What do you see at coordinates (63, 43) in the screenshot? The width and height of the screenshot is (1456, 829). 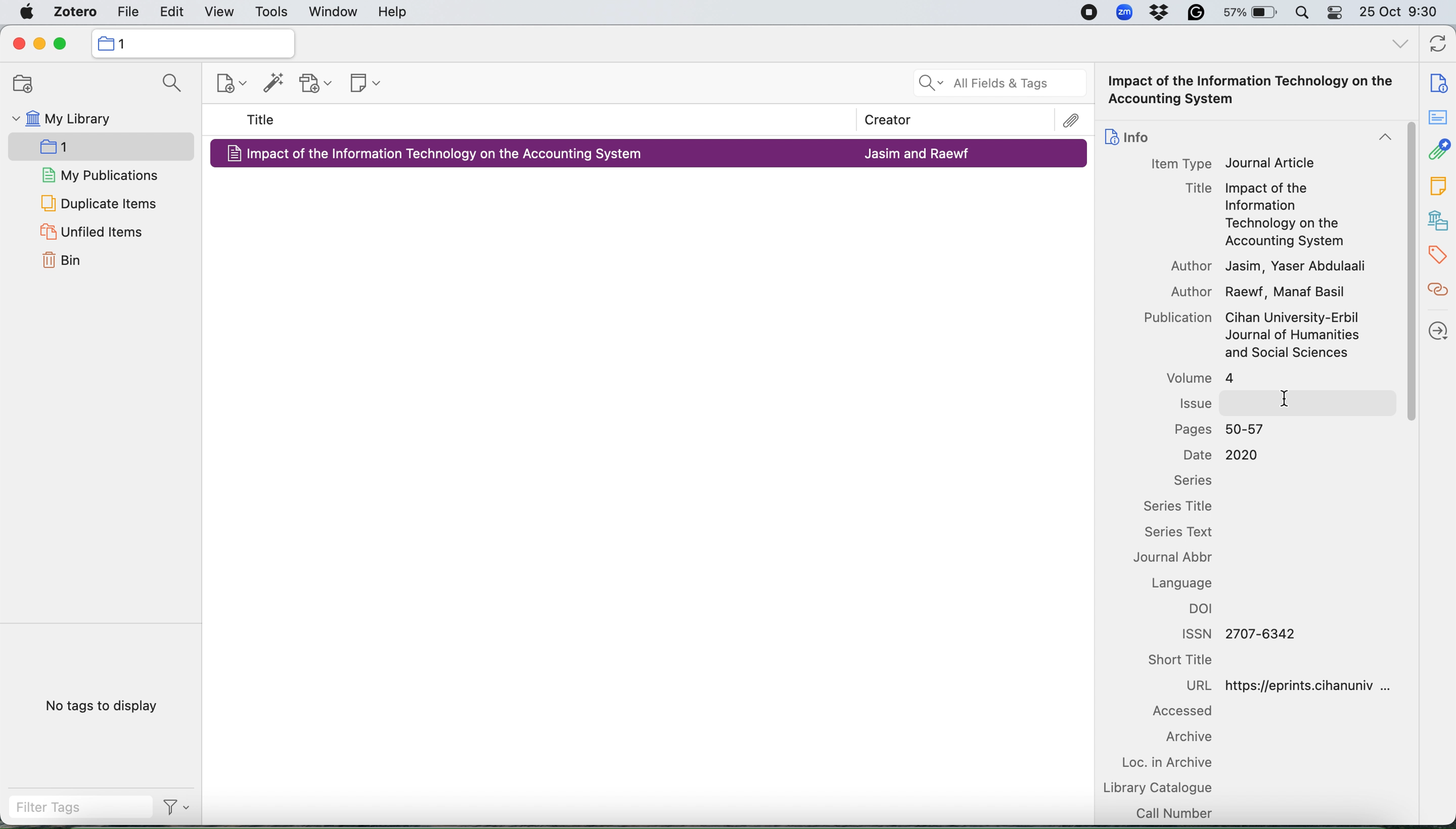 I see `maximise` at bounding box center [63, 43].